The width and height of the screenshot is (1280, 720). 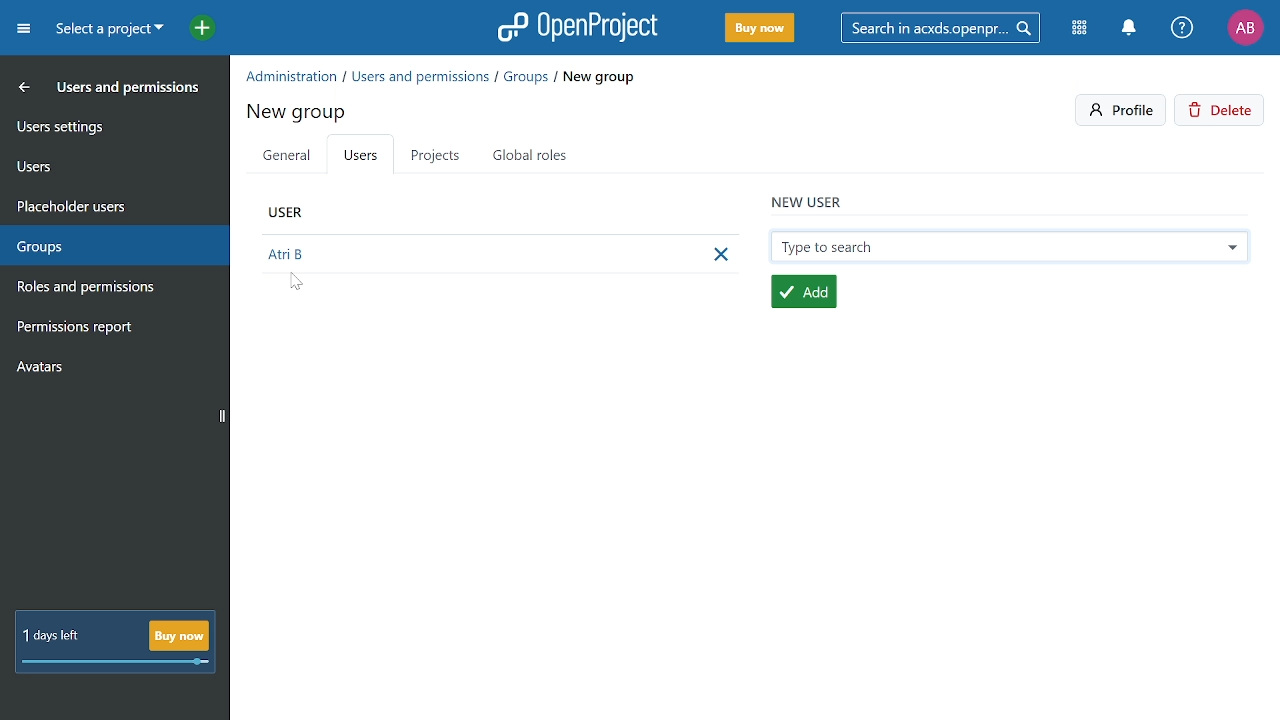 I want to click on Help, so click(x=1183, y=29).